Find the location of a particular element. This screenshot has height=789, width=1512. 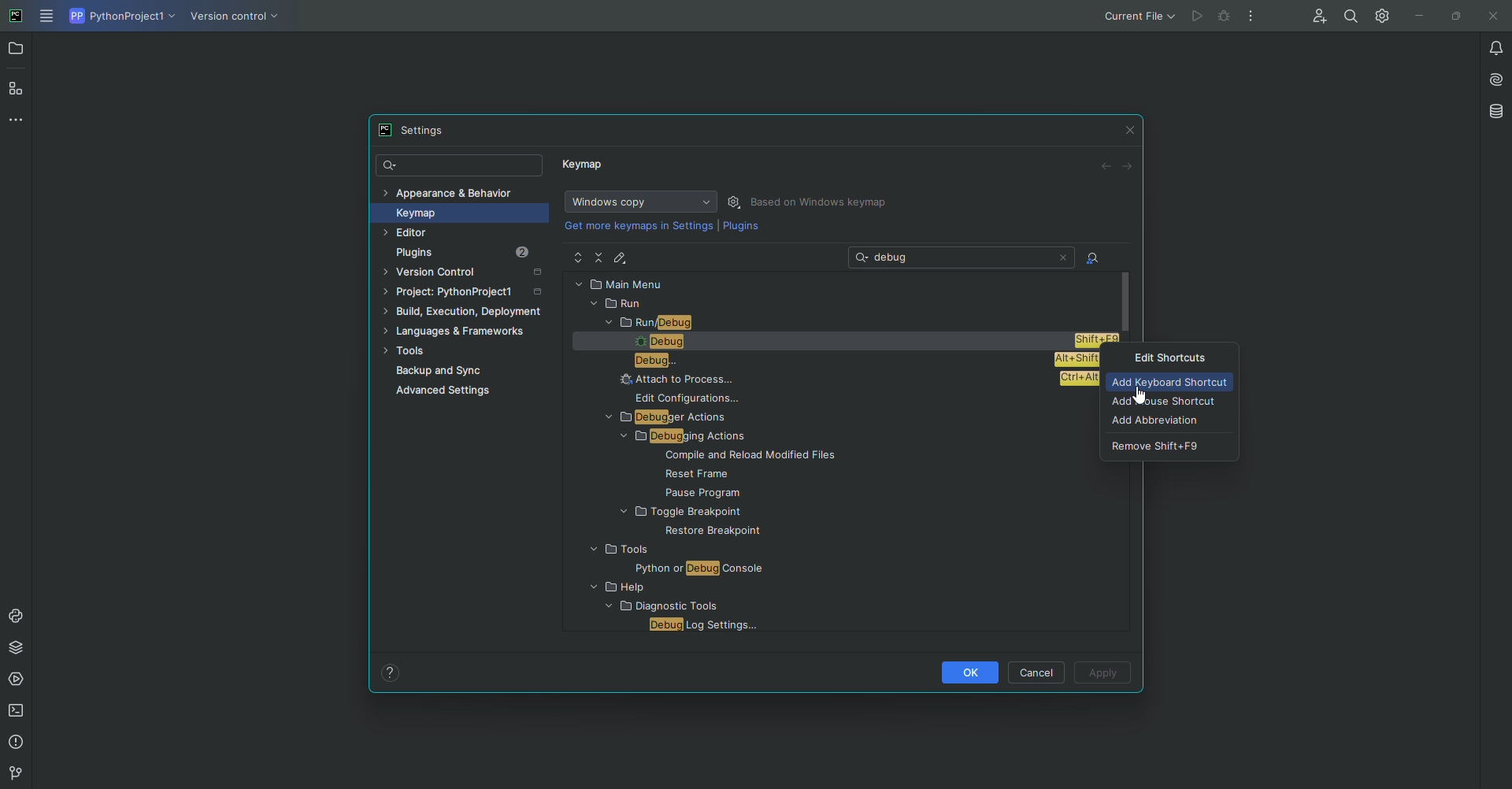

FOLDER NAME is located at coordinates (658, 550).